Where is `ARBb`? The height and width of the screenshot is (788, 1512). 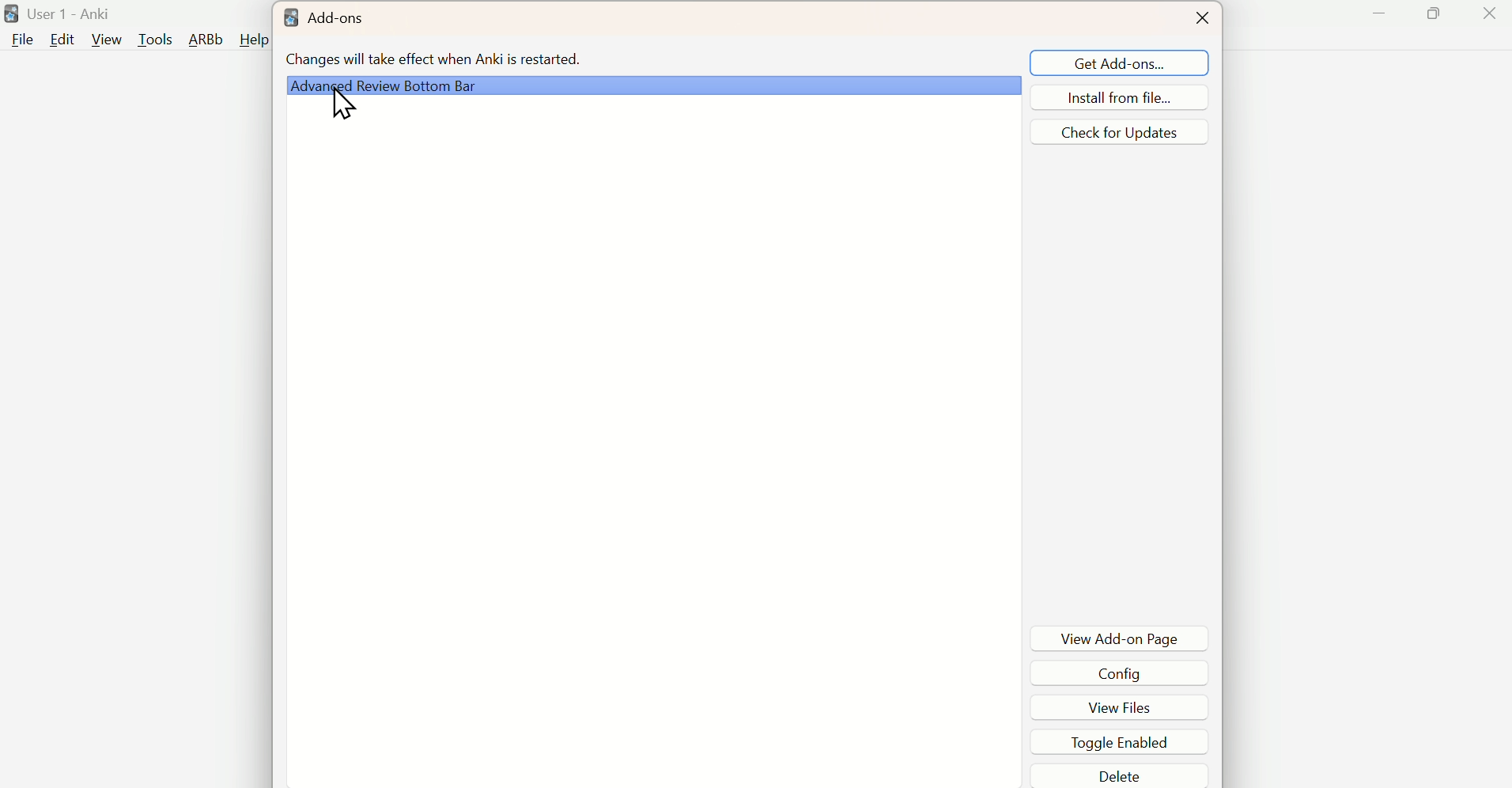
ARBb is located at coordinates (207, 40).